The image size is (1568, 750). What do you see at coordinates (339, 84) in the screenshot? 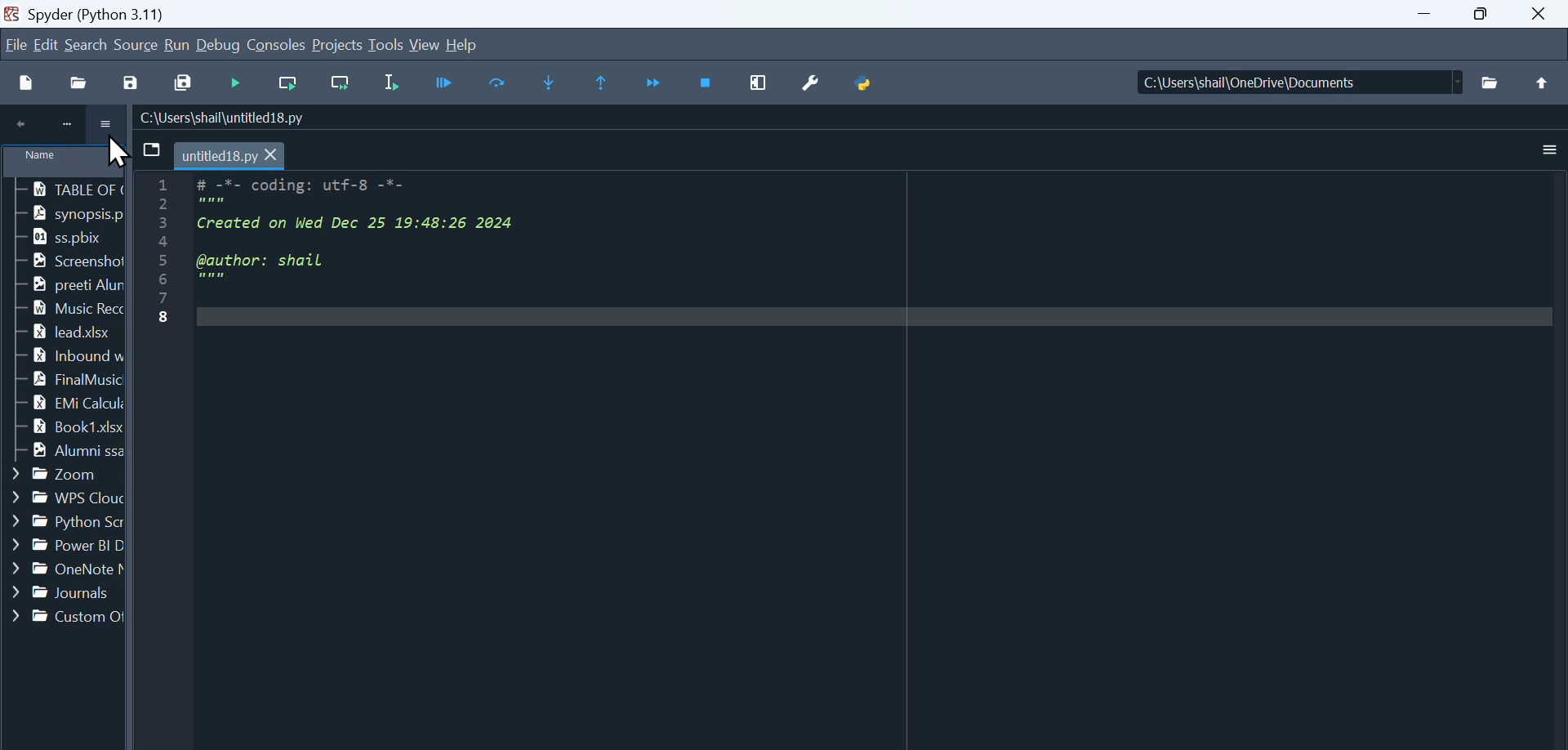
I see `Run current file and go to the next one` at bounding box center [339, 84].